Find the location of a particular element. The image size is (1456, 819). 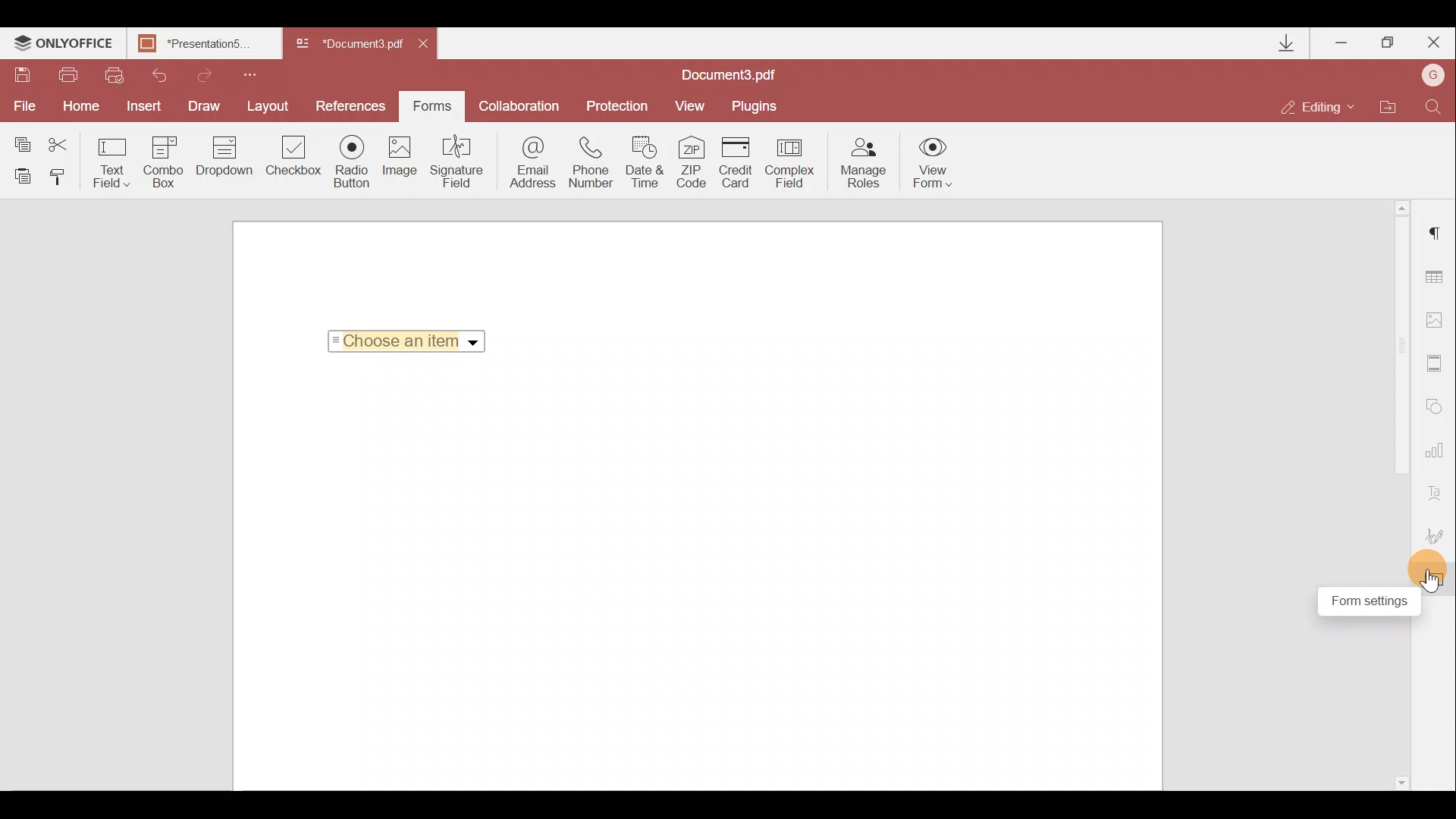

ONLYOFFICE is located at coordinates (64, 45).